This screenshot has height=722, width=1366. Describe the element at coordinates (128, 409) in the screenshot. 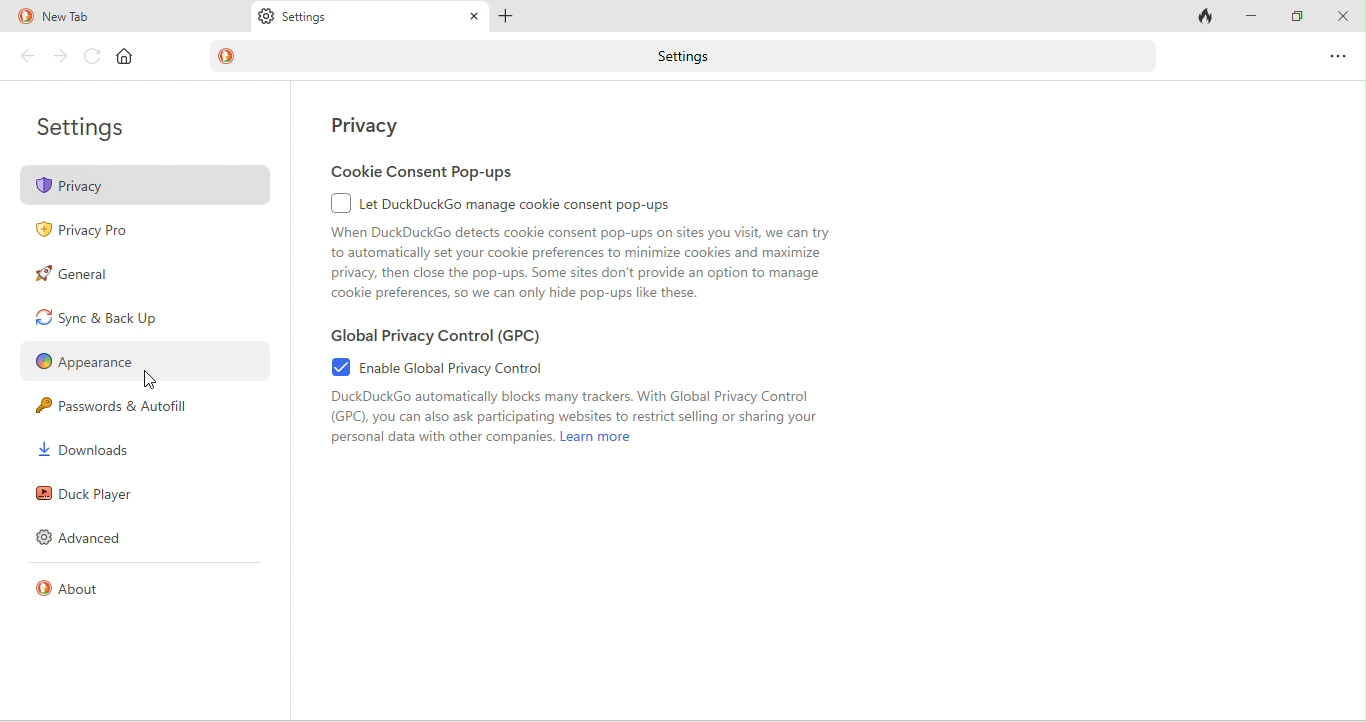

I see `passwords and autofill` at that location.